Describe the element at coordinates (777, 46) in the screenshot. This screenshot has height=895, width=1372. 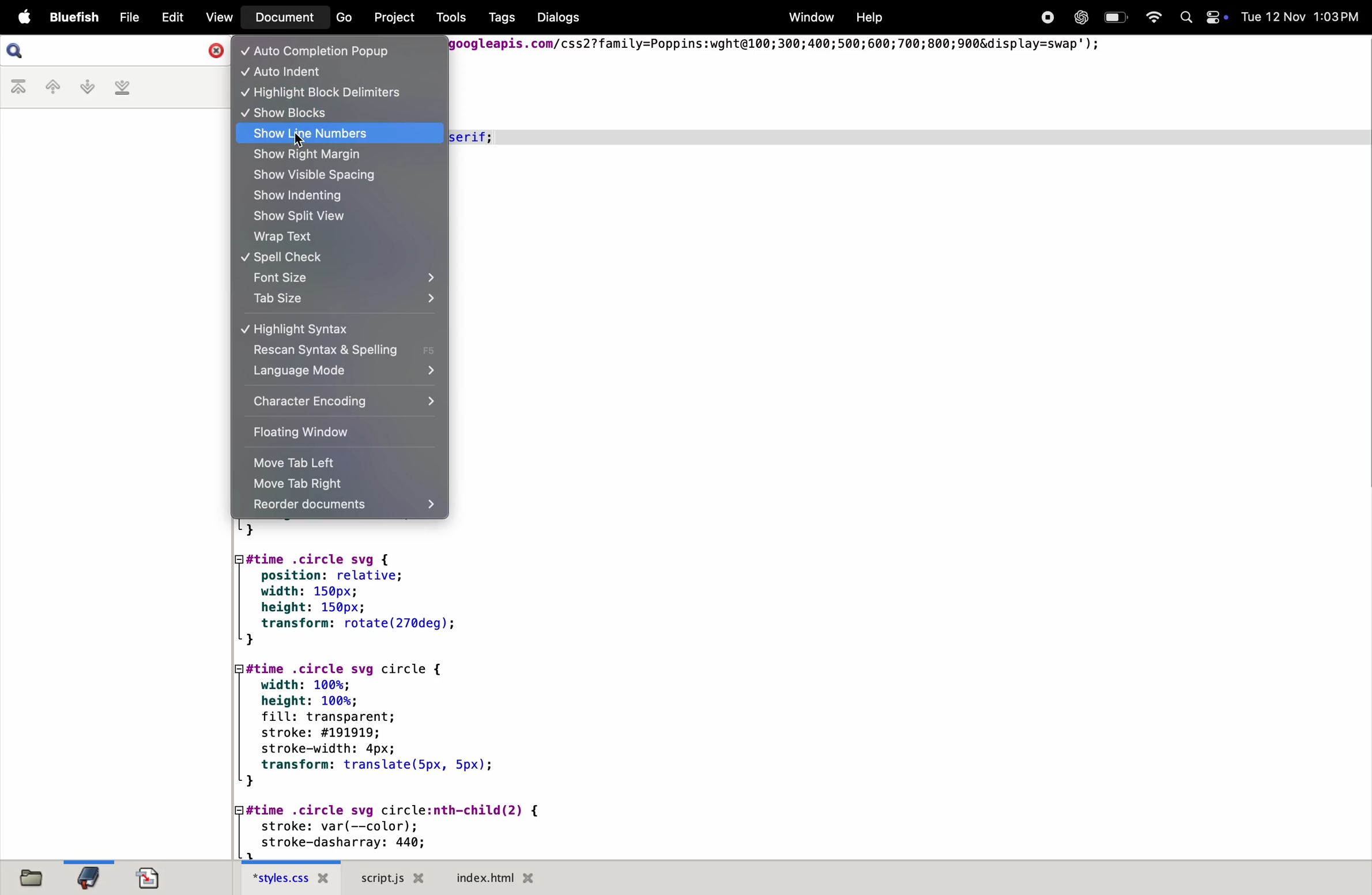
I see `googleapis.com/css2?family=Poppins:wght@100;300;400;500;600;700;800;900&display=swap"');` at that location.